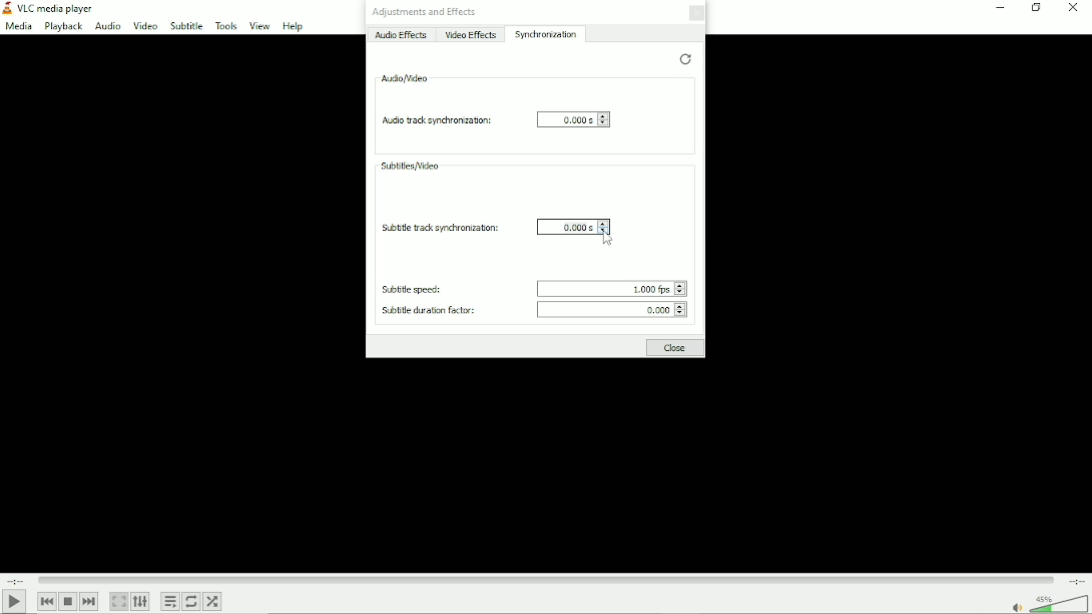 The image size is (1092, 614). I want to click on 1.000 fps, so click(609, 286).